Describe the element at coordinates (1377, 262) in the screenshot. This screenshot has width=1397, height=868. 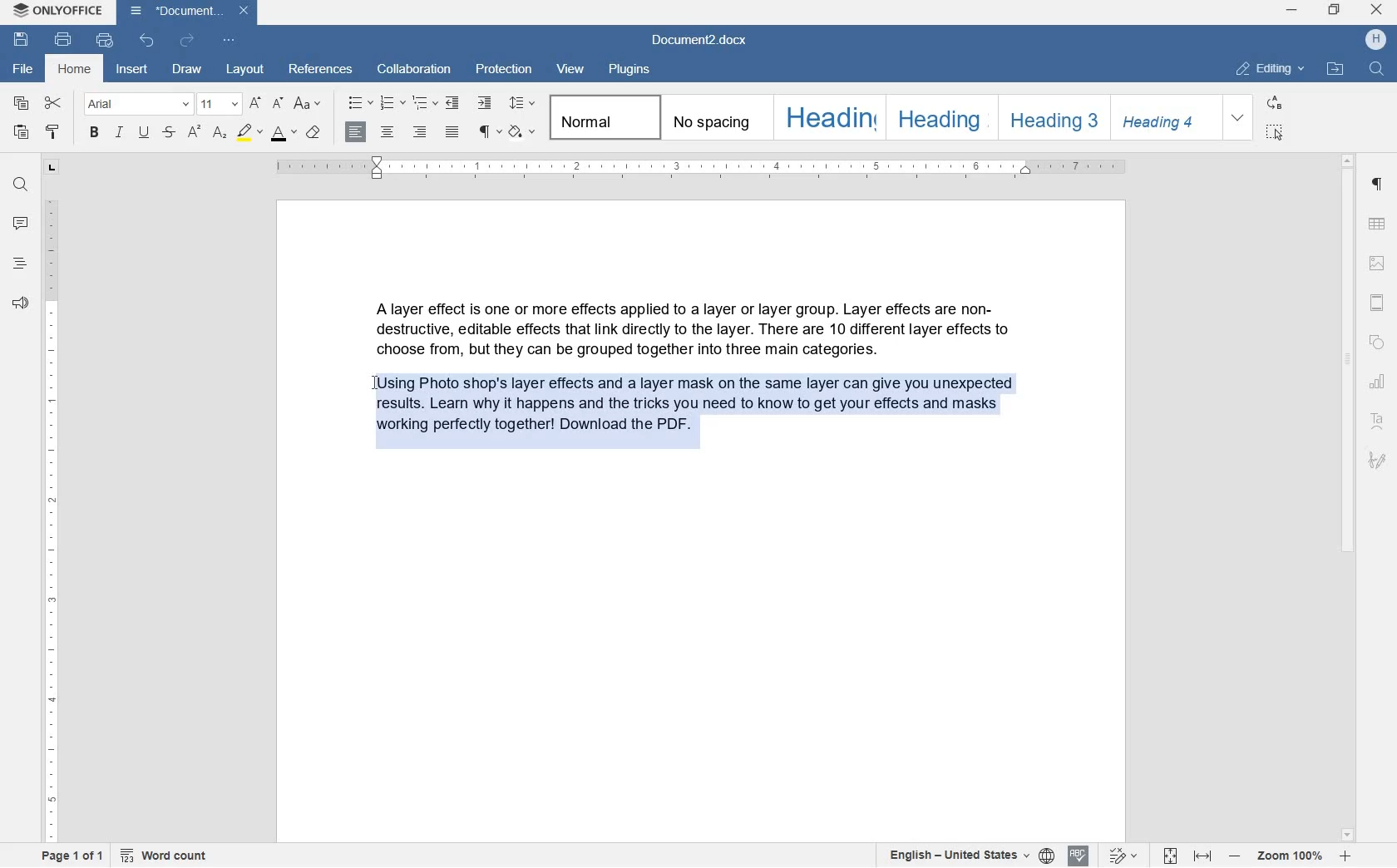
I see `HEADERS & FOOTERS` at that location.